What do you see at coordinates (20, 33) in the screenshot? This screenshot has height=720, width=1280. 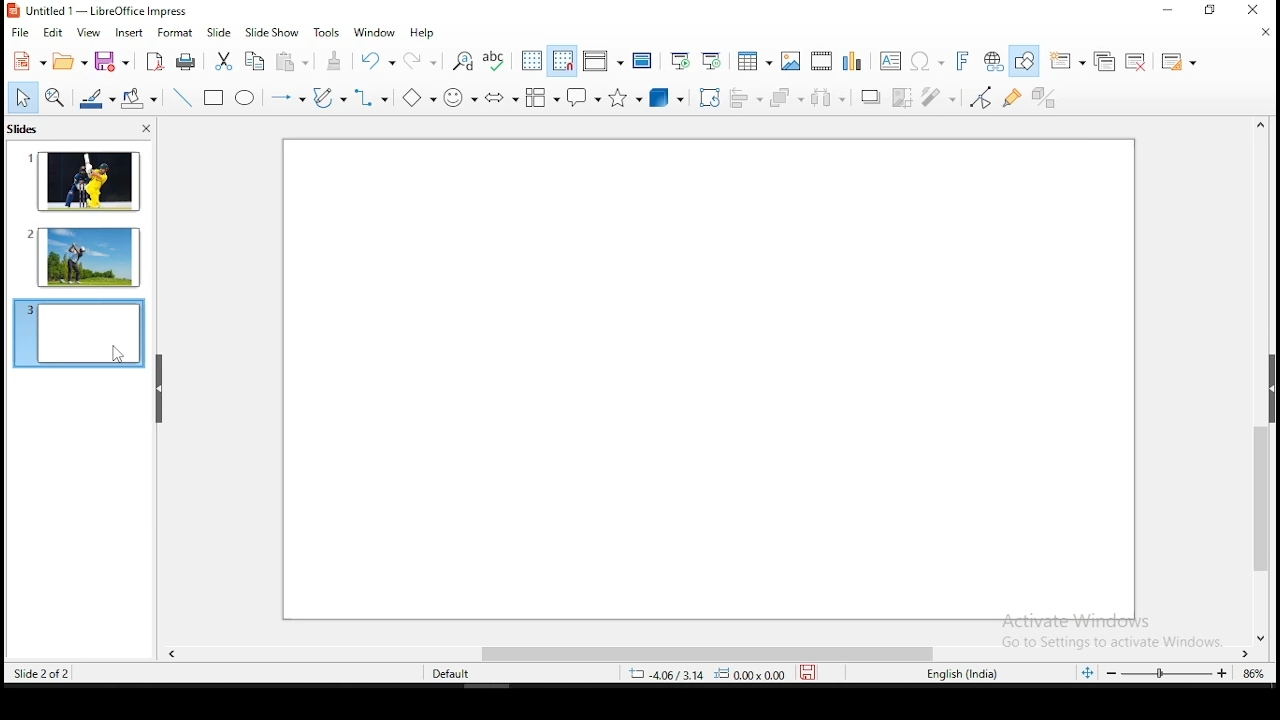 I see `file` at bounding box center [20, 33].